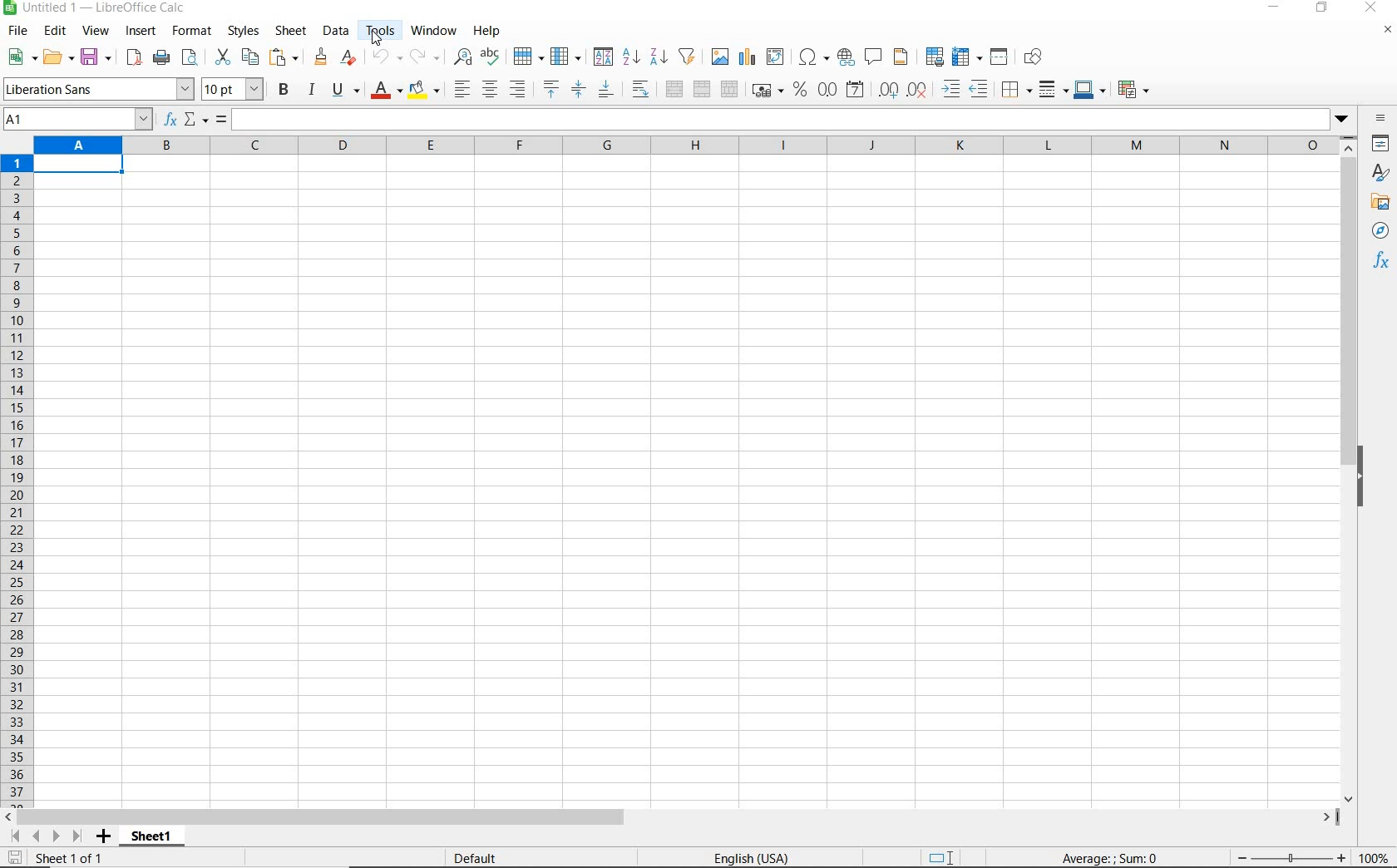 Image resolution: width=1397 pixels, height=868 pixels. What do you see at coordinates (1380, 172) in the screenshot?
I see `STYLES` at bounding box center [1380, 172].